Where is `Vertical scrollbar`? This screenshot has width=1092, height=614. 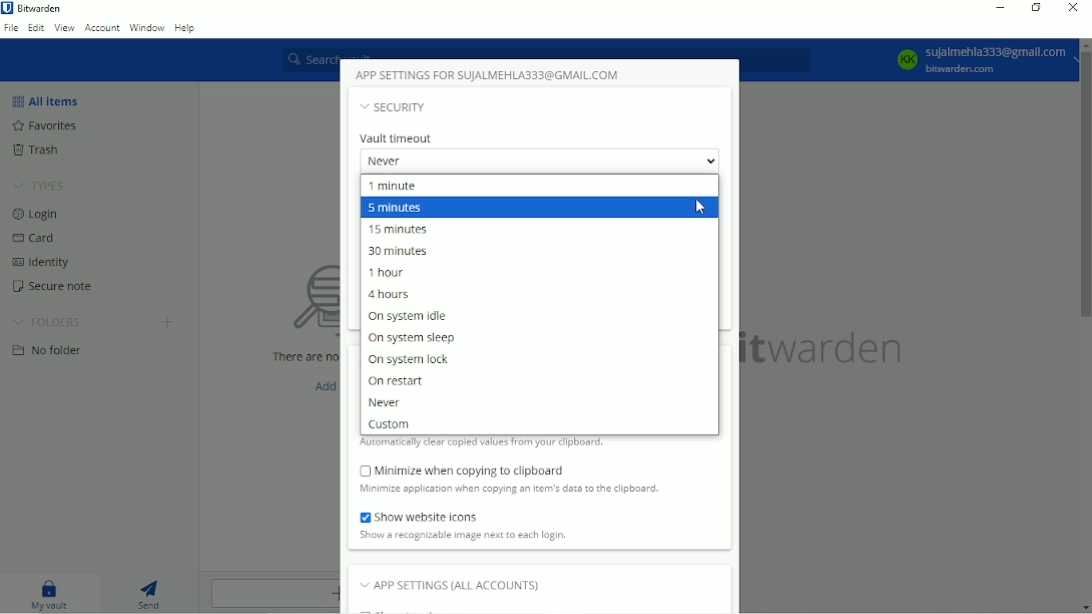 Vertical scrollbar is located at coordinates (1085, 185).